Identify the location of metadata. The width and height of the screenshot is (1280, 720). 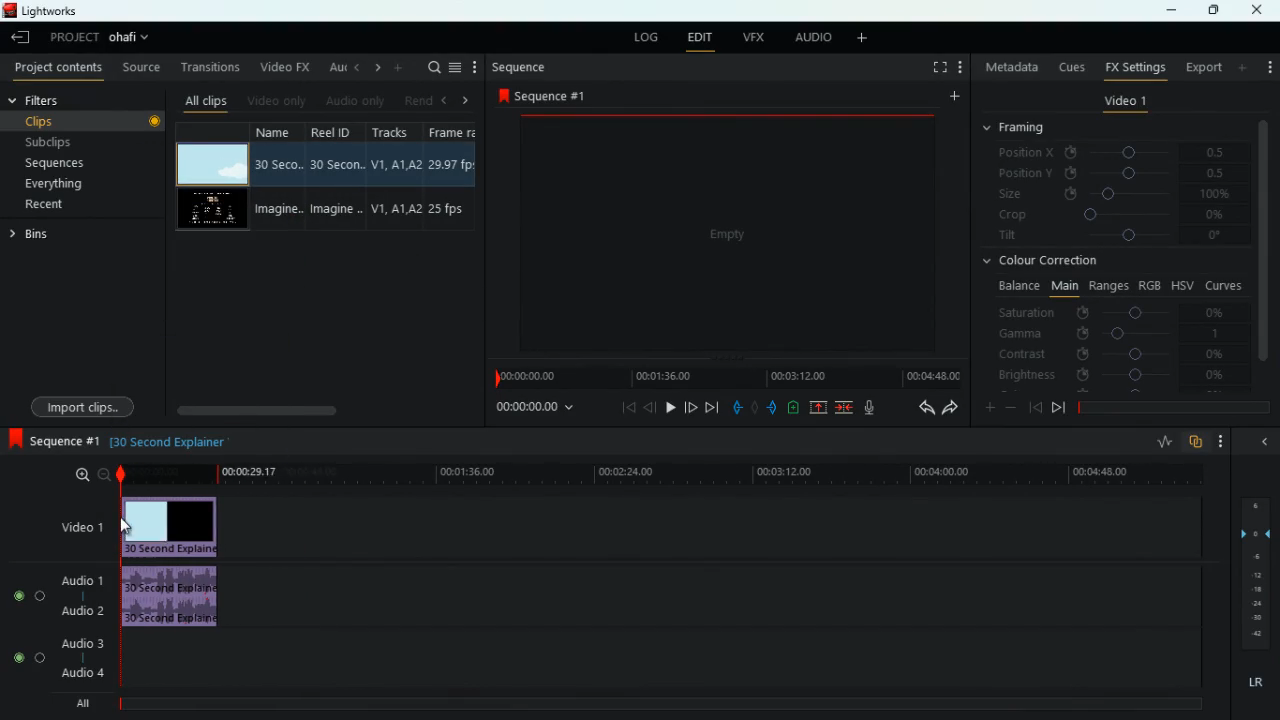
(1008, 65).